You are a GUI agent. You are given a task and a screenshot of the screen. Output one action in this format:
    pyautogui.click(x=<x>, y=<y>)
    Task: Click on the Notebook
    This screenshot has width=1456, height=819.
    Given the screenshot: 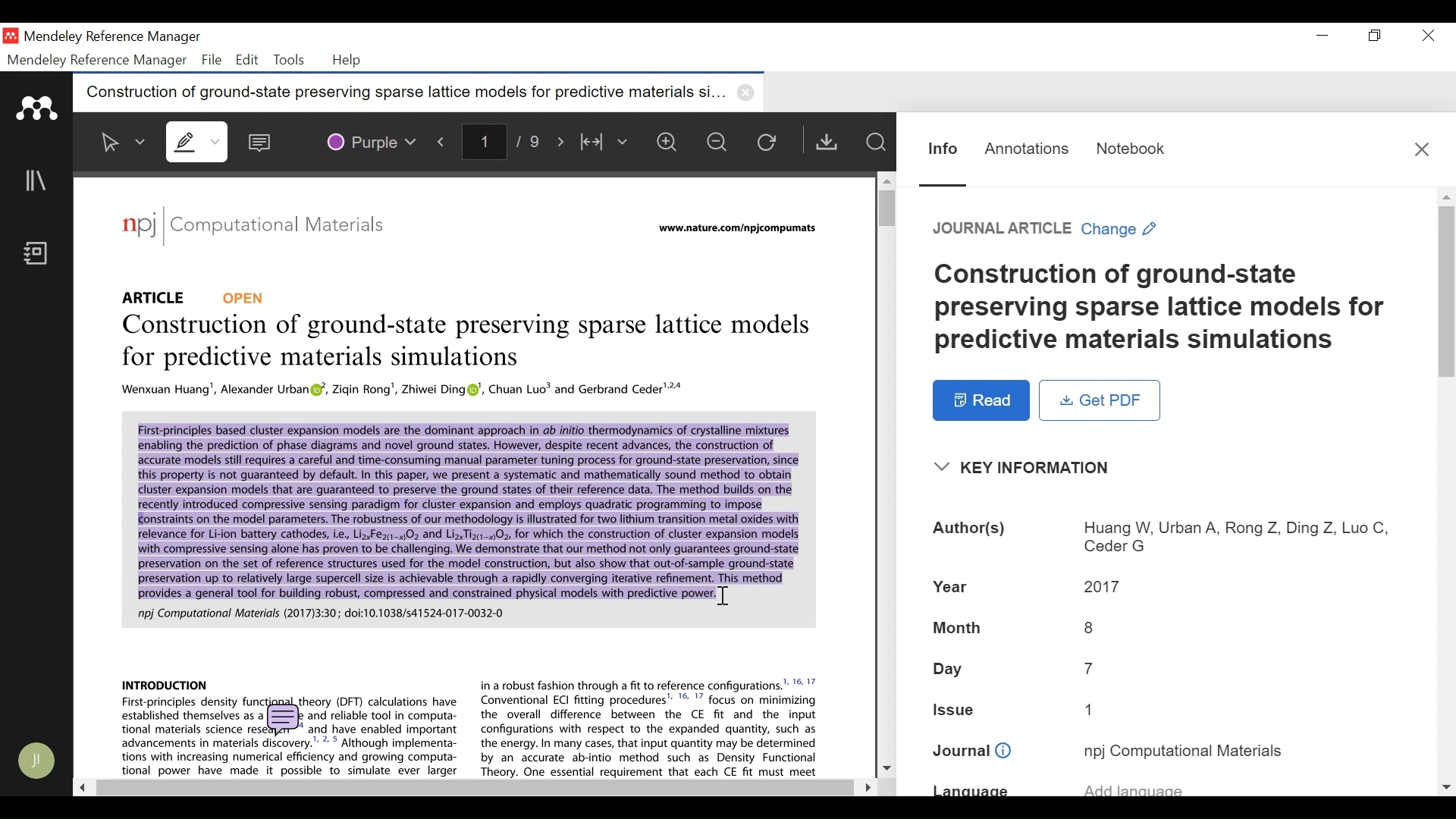 What is the action you would take?
    pyautogui.click(x=40, y=255)
    